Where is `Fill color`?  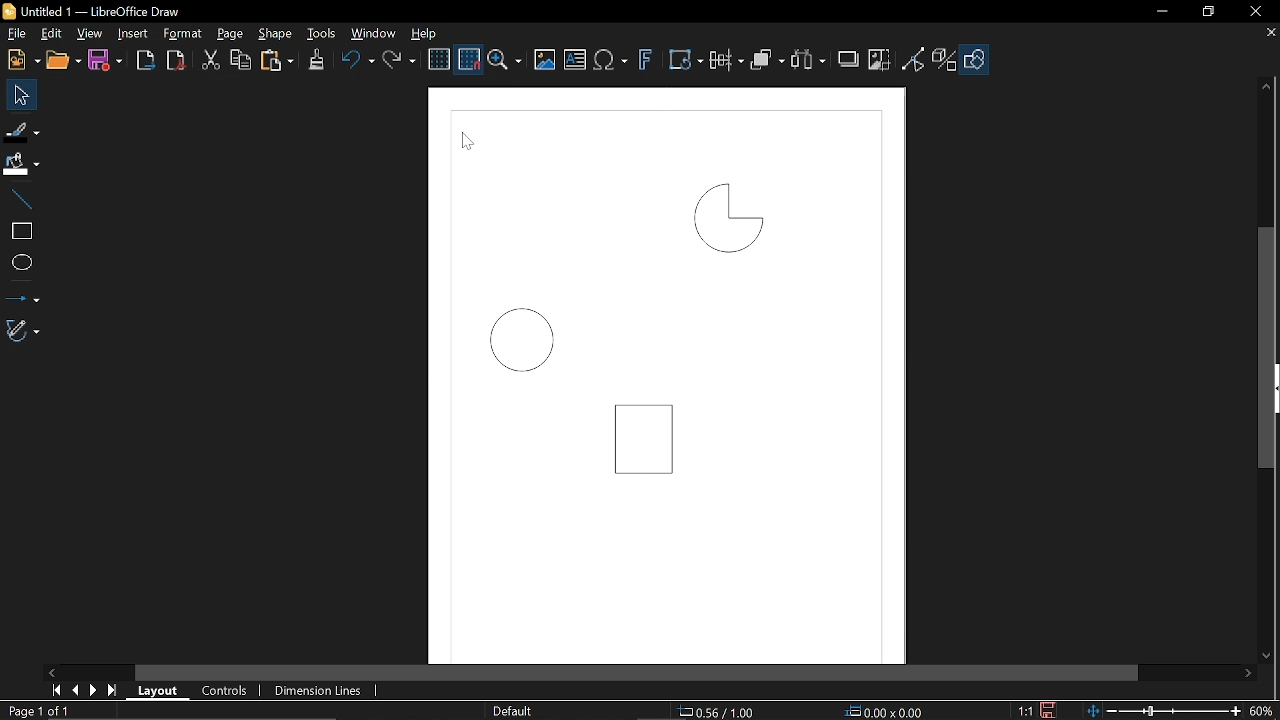 Fill color is located at coordinates (21, 163).